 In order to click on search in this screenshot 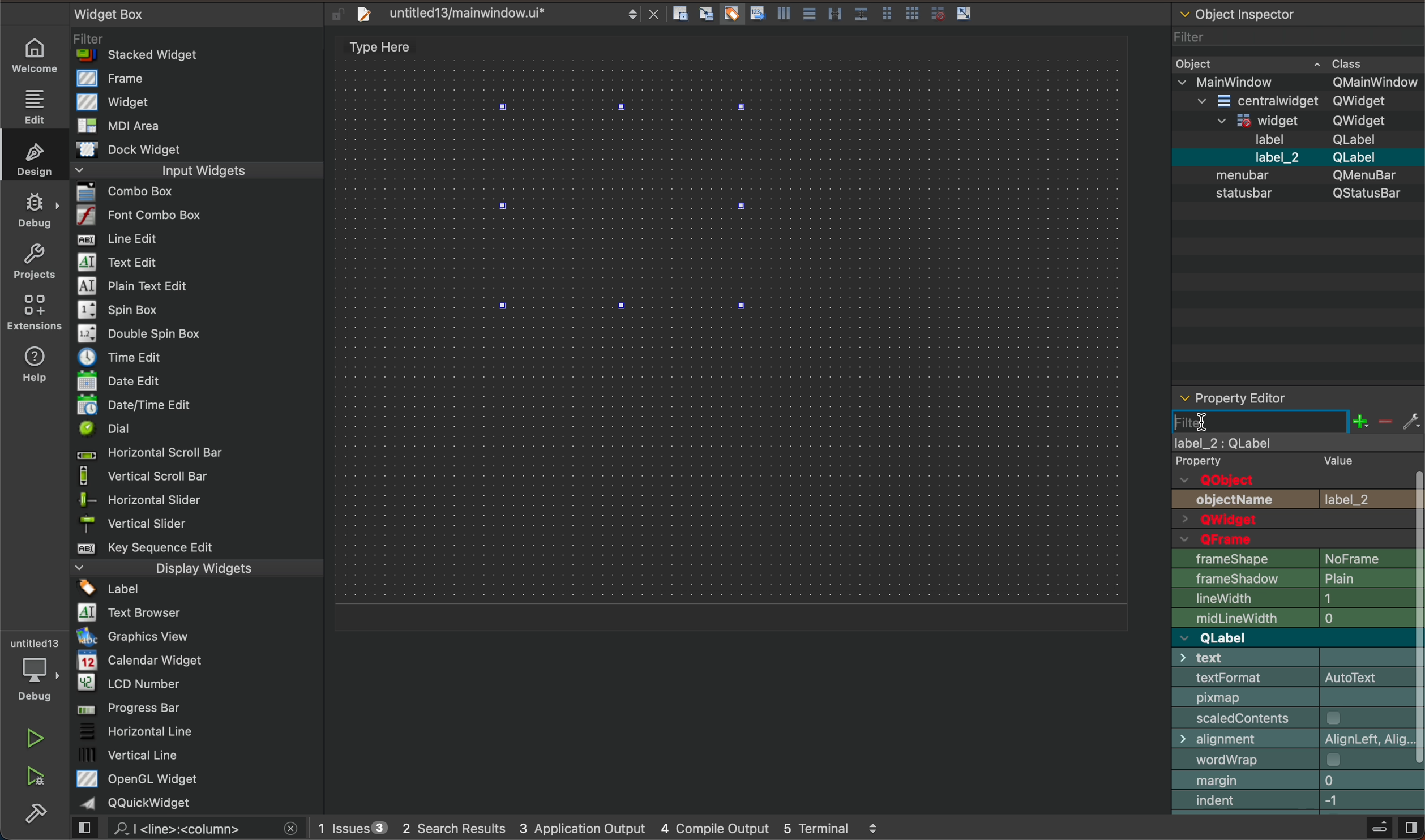, I will do `click(192, 829)`.